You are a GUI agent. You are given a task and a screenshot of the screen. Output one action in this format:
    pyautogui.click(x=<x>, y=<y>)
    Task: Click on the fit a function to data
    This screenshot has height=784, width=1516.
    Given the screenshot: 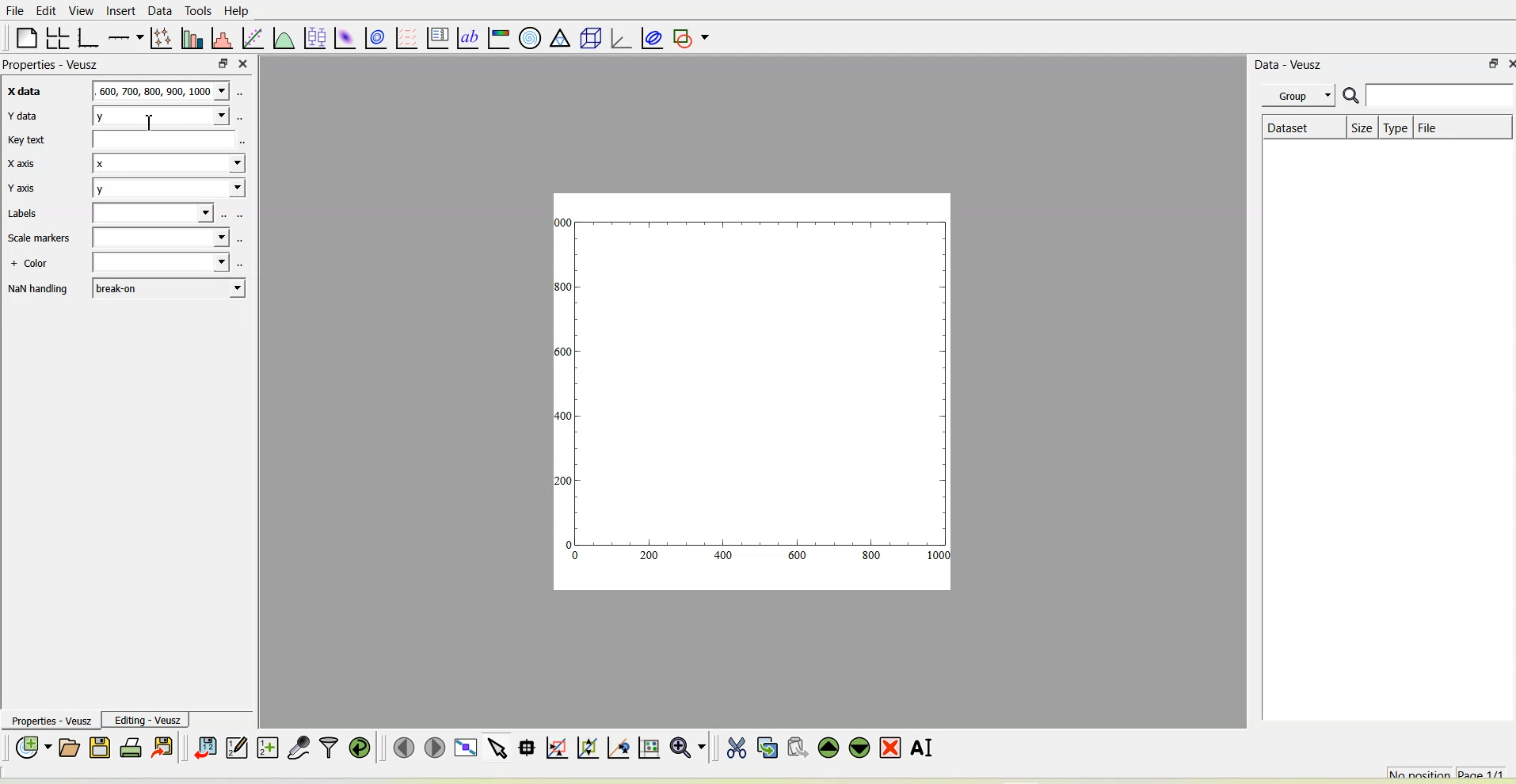 What is the action you would take?
    pyautogui.click(x=252, y=38)
    